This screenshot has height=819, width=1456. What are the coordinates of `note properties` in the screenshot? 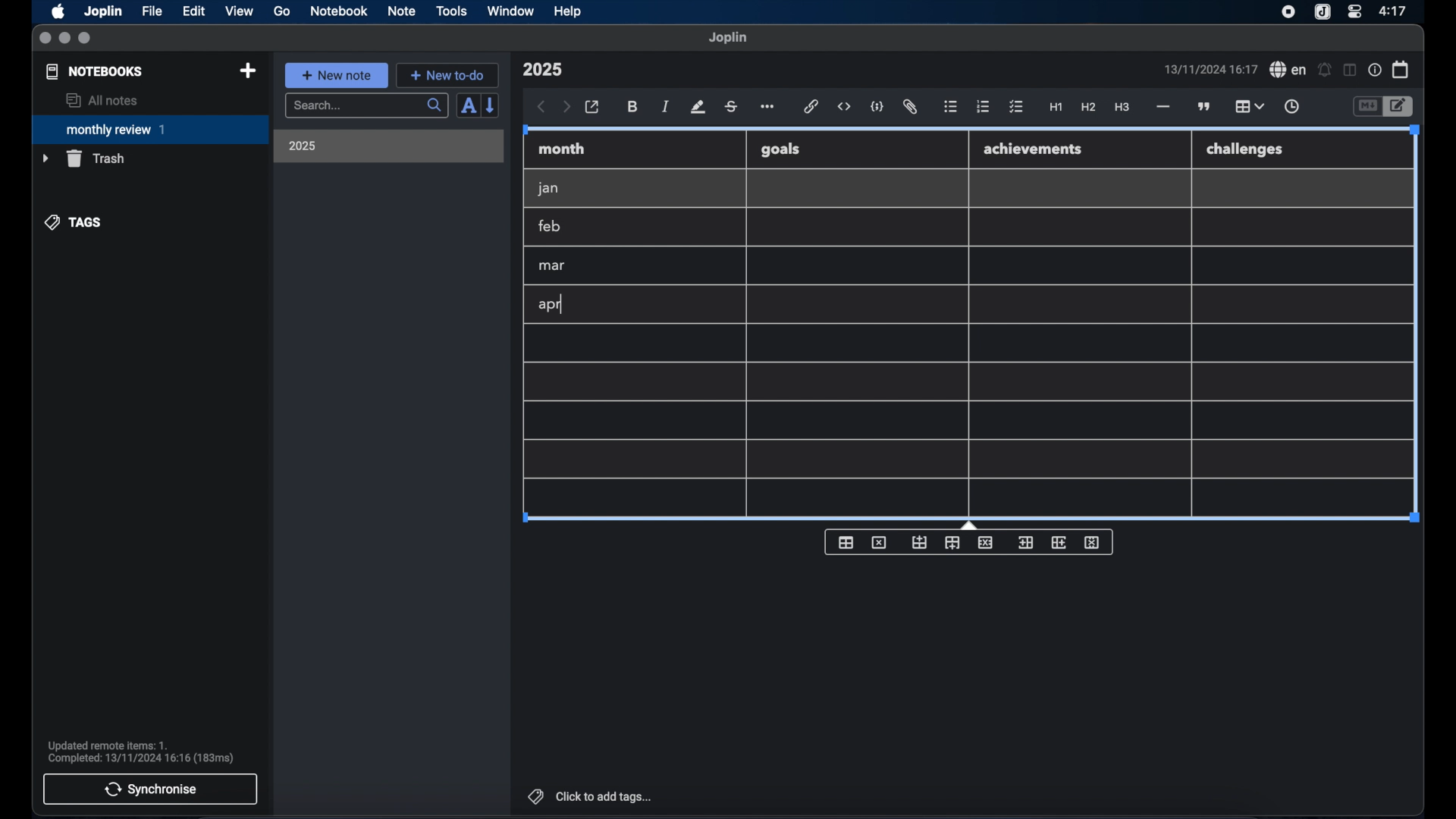 It's located at (1375, 71).